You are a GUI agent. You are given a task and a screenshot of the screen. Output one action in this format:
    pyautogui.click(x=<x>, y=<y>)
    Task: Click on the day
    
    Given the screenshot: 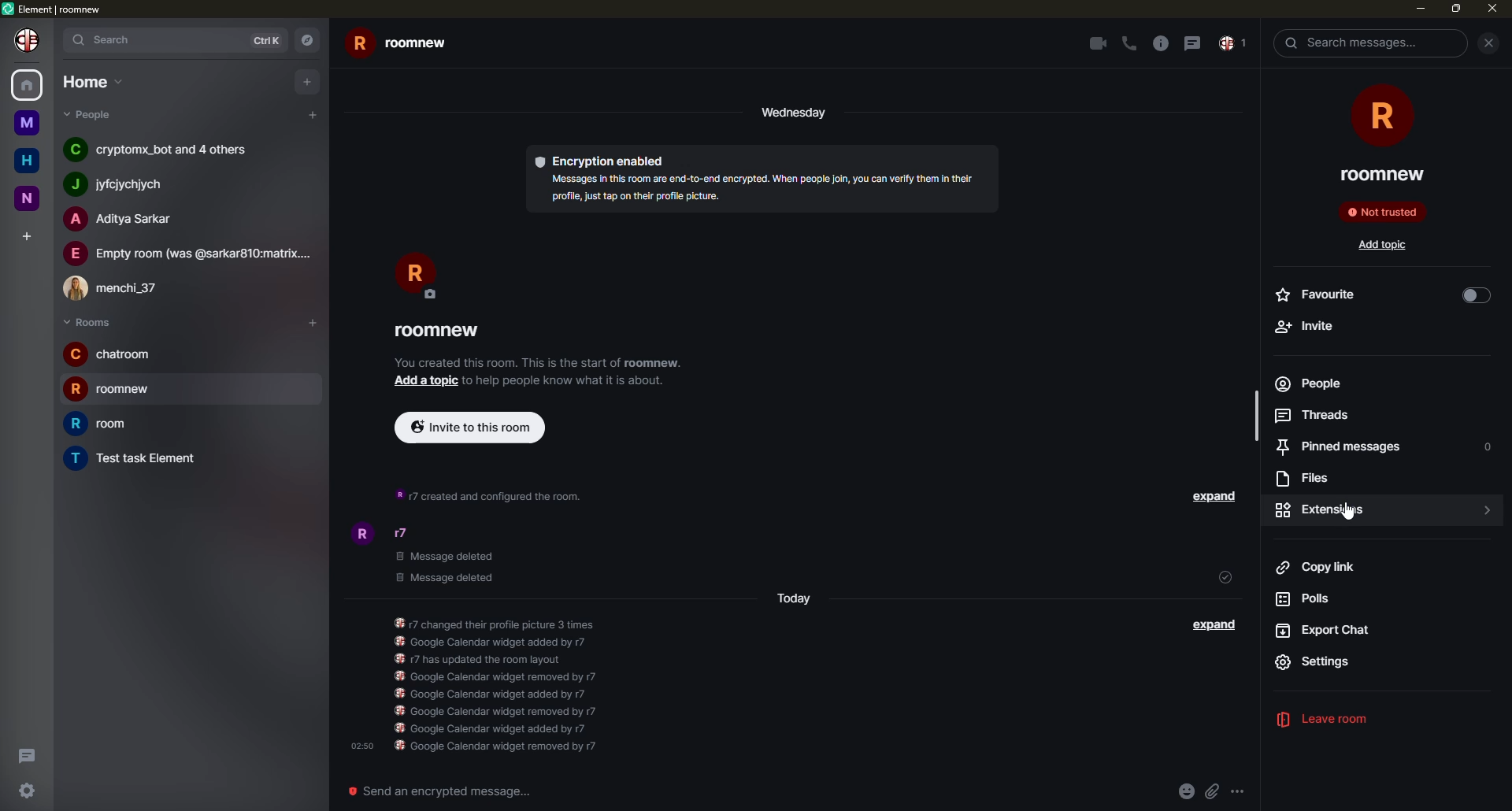 What is the action you would take?
    pyautogui.click(x=806, y=602)
    